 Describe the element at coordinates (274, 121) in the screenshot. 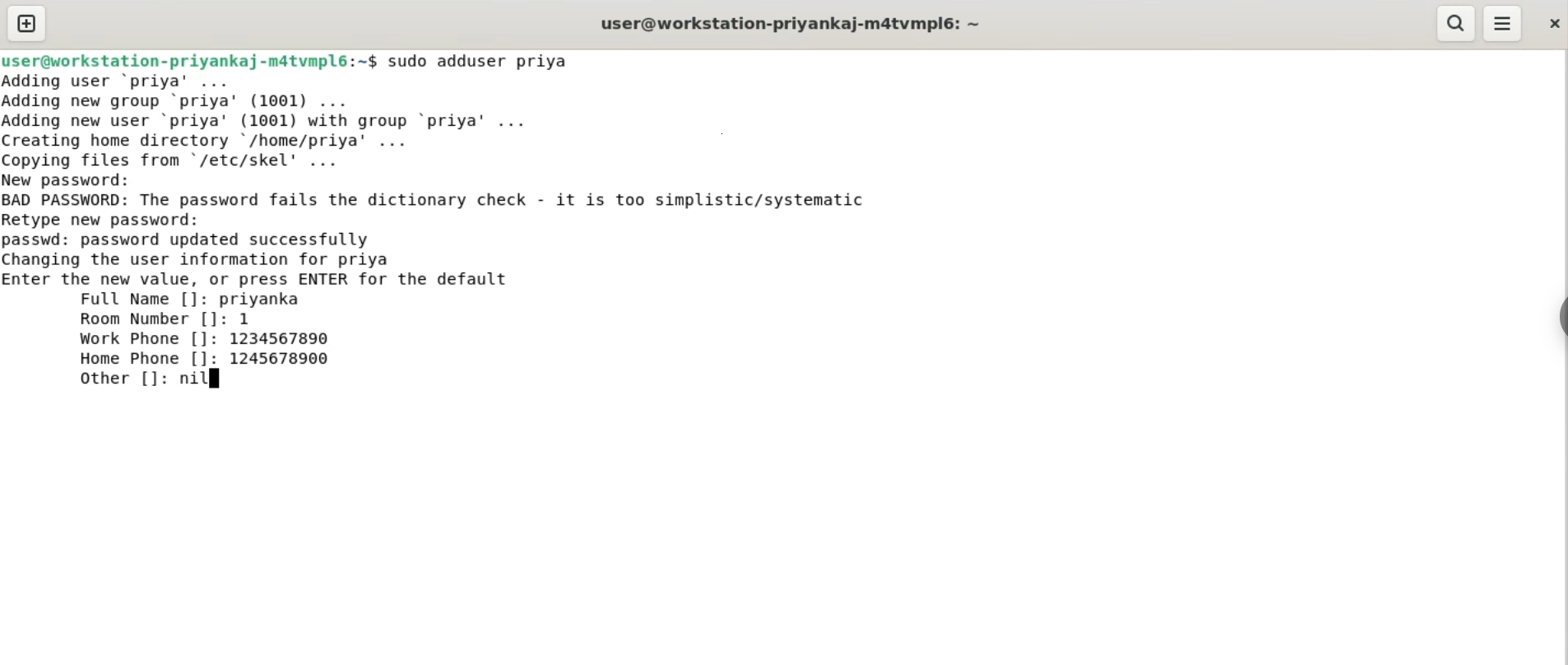

I see `Adding user ‘priya' ...

Adding new group ‘priya’ (1001) ...

Adding new user ‘priya' (1001) with group ‘priya' ...
Creating home directory '/home/priya' ...

Copying files from "/etc/skel' ...` at that location.